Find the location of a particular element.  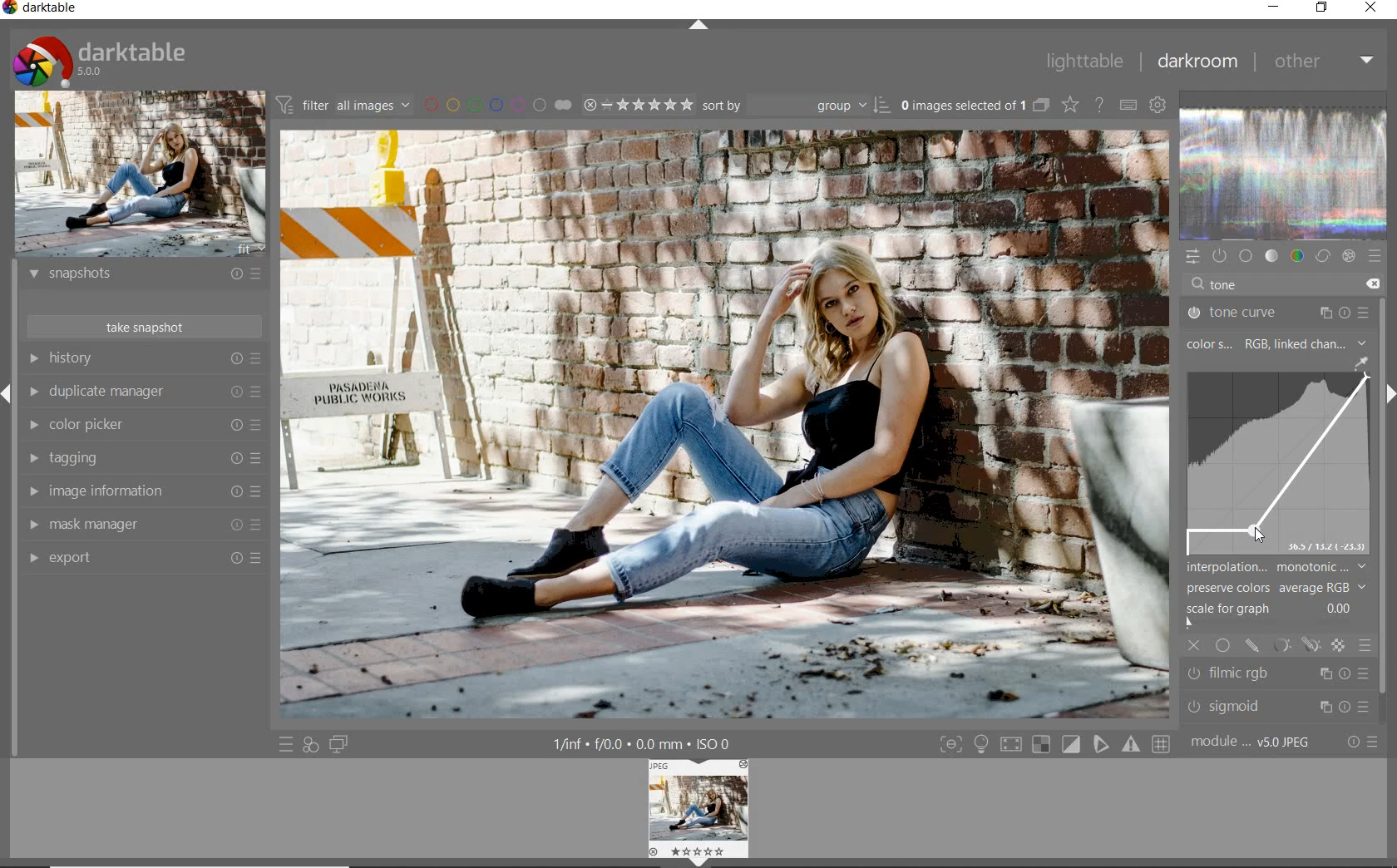

show global preferences is located at coordinates (1159, 106).